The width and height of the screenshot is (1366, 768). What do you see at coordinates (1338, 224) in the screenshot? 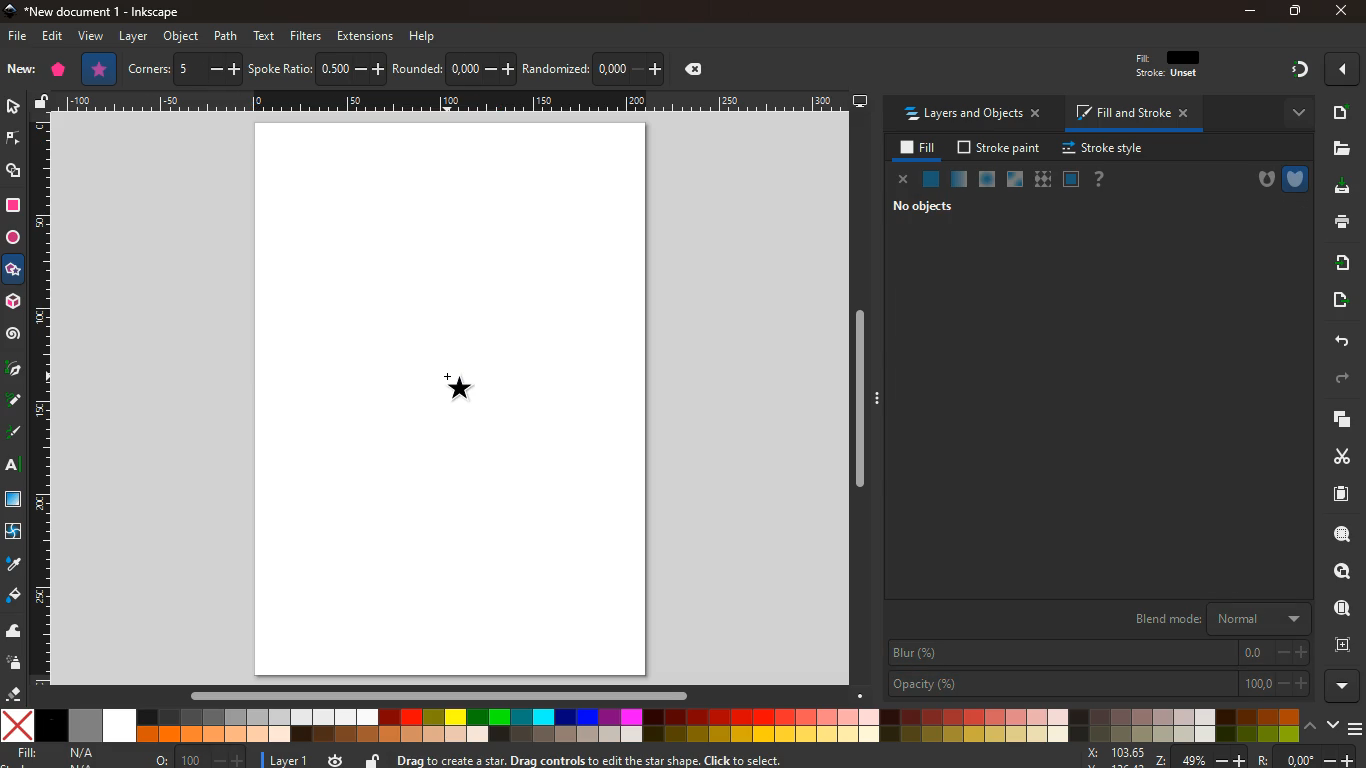
I see `print` at bounding box center [1338, 224].